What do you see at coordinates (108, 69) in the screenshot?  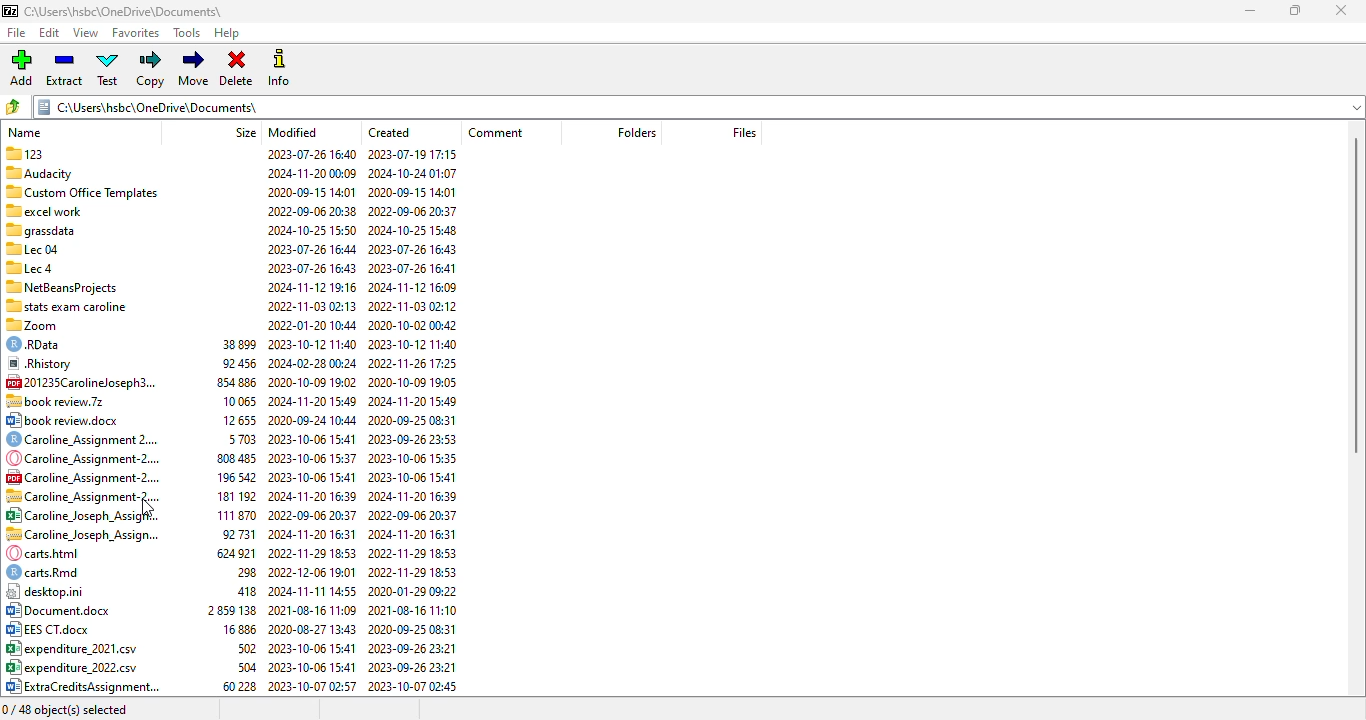 I see `test` at bounding box center [108, 69].